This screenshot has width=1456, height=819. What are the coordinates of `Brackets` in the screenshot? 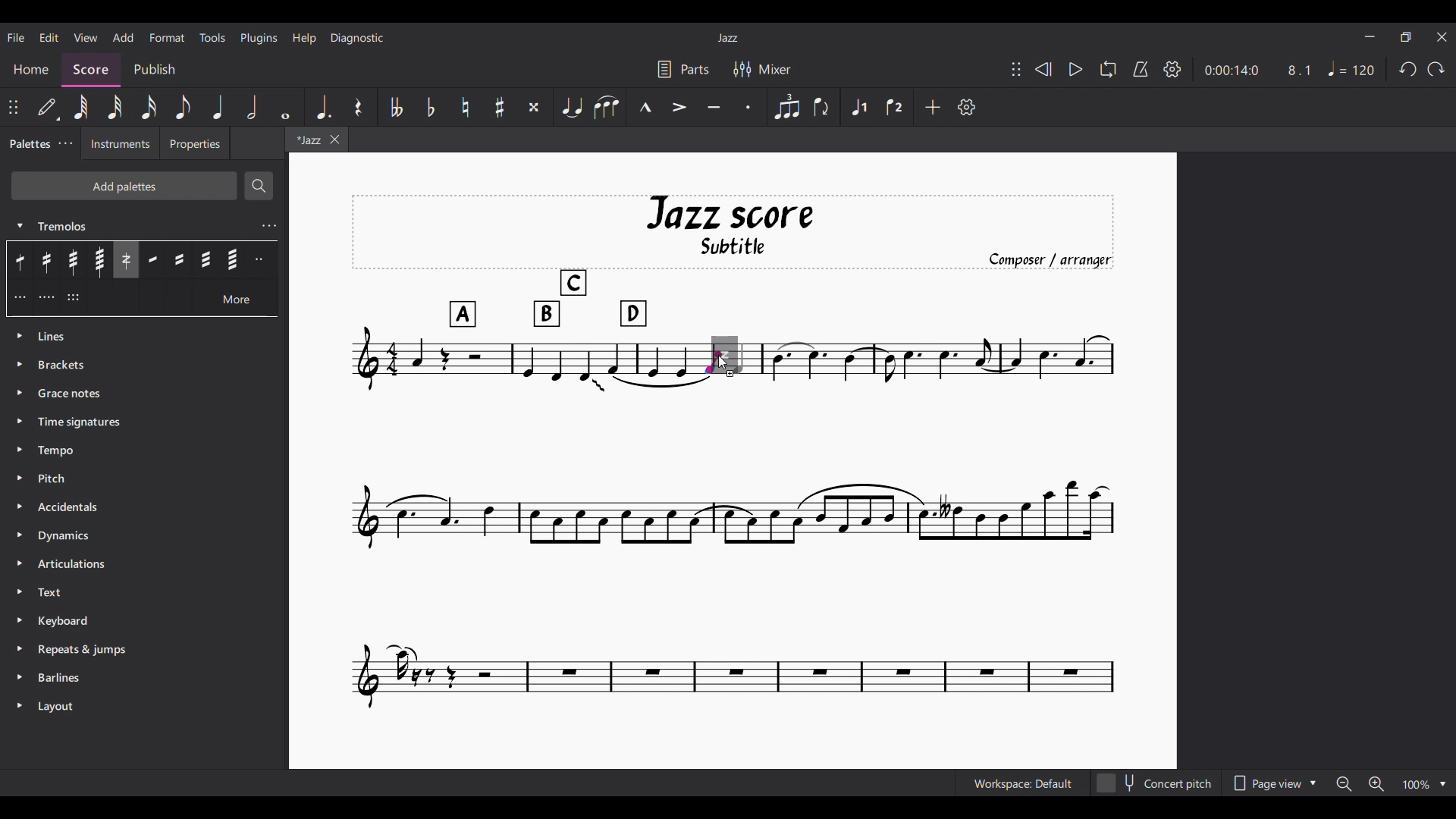 It's located at (143, 365).